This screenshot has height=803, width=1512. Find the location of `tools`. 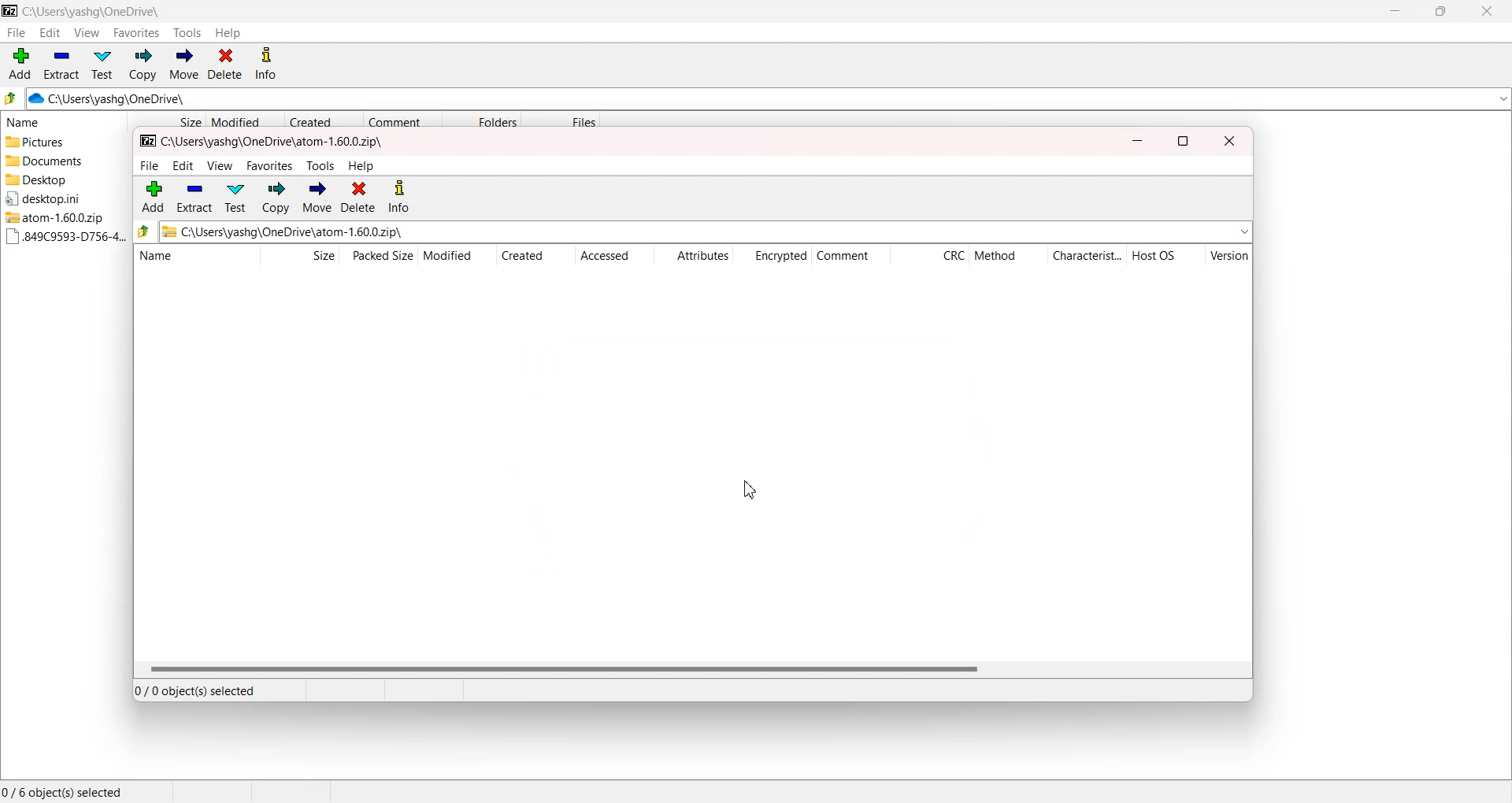

tools is located at coordinates (321, 166).